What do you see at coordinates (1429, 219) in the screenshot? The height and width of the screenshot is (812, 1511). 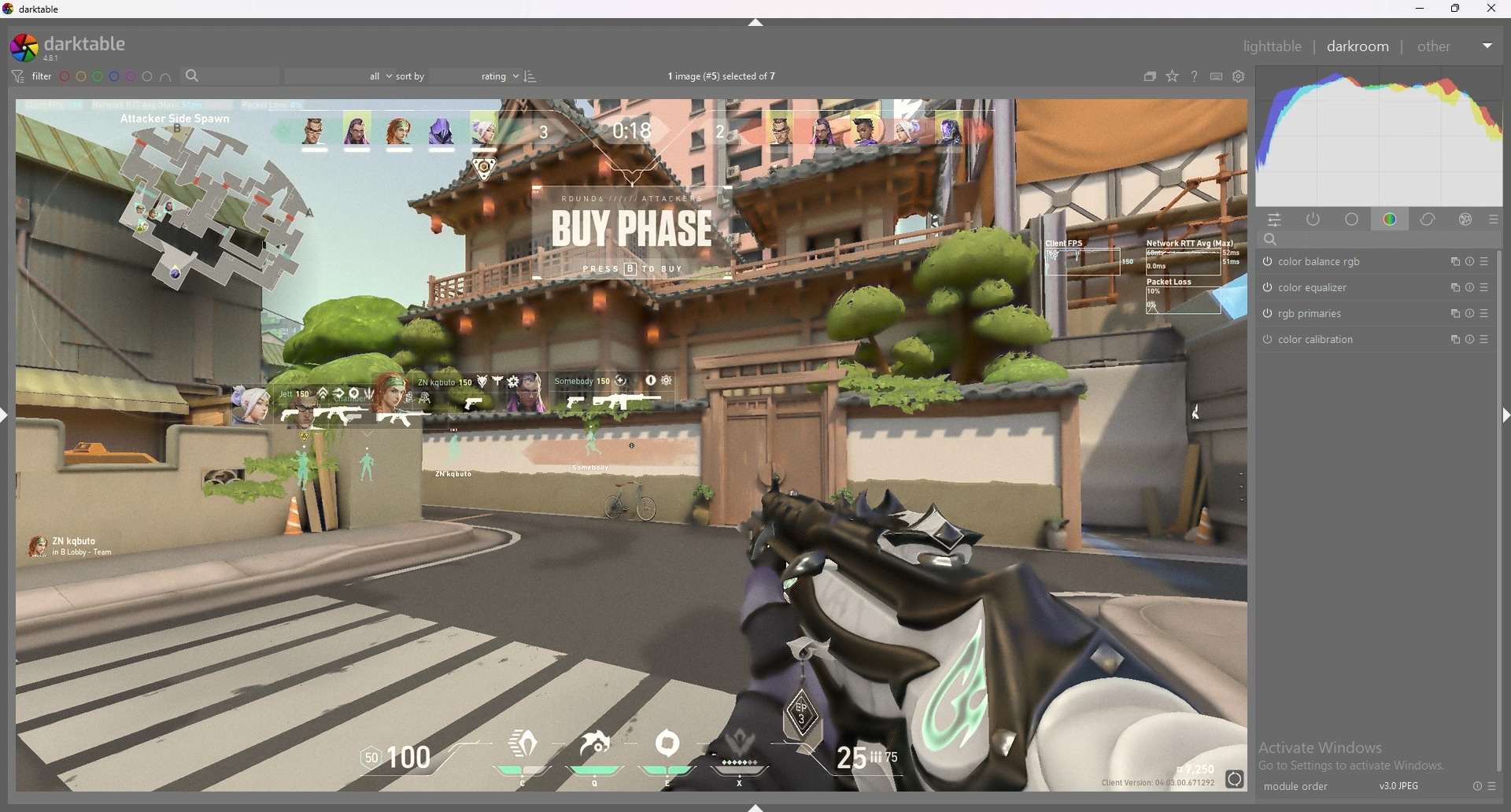 I see `correct` at bounding box center [1429, 219].